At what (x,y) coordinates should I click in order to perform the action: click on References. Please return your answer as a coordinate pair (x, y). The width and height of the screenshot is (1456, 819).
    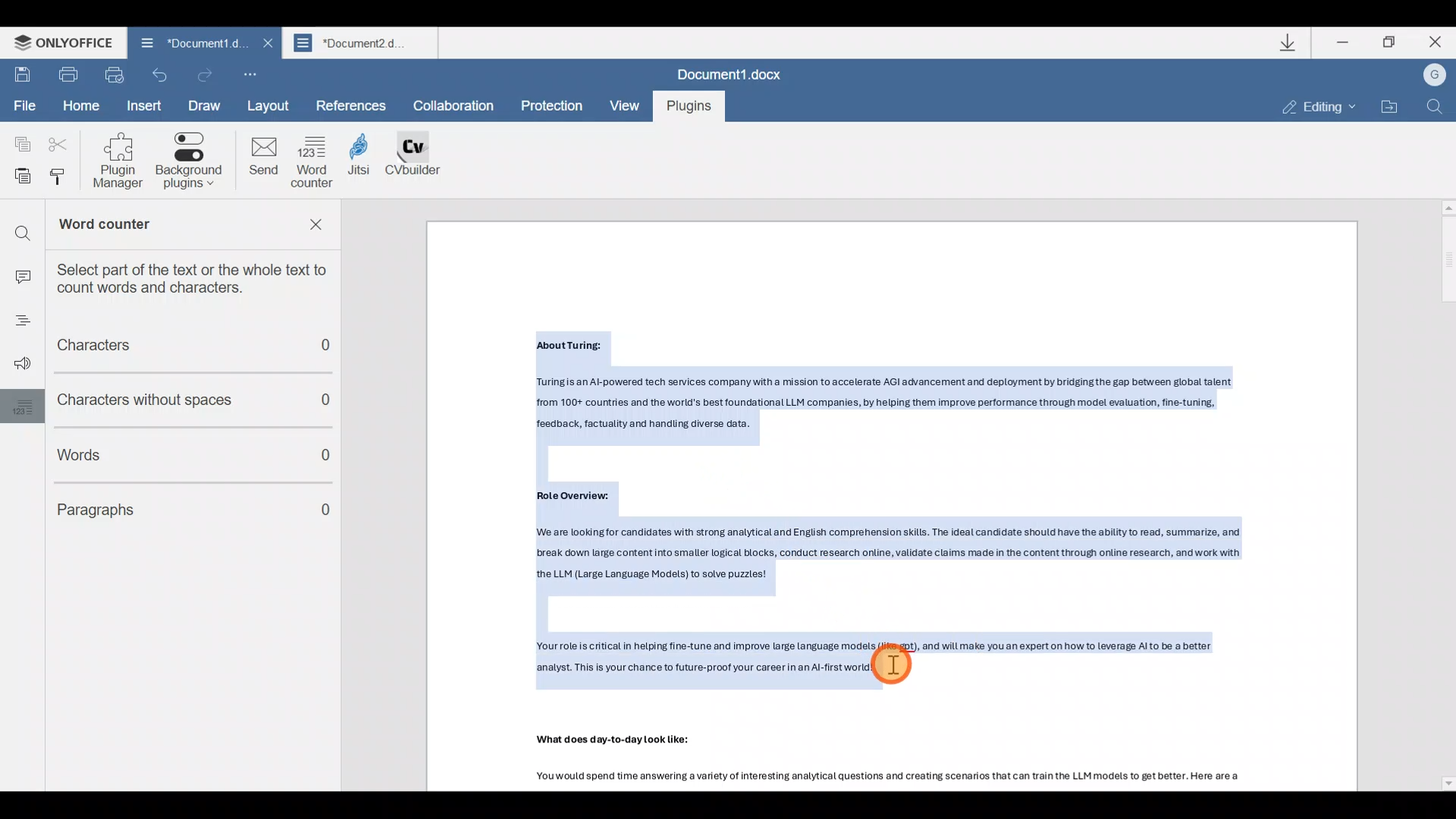
    Looking at the image, I should click on (352, 104).